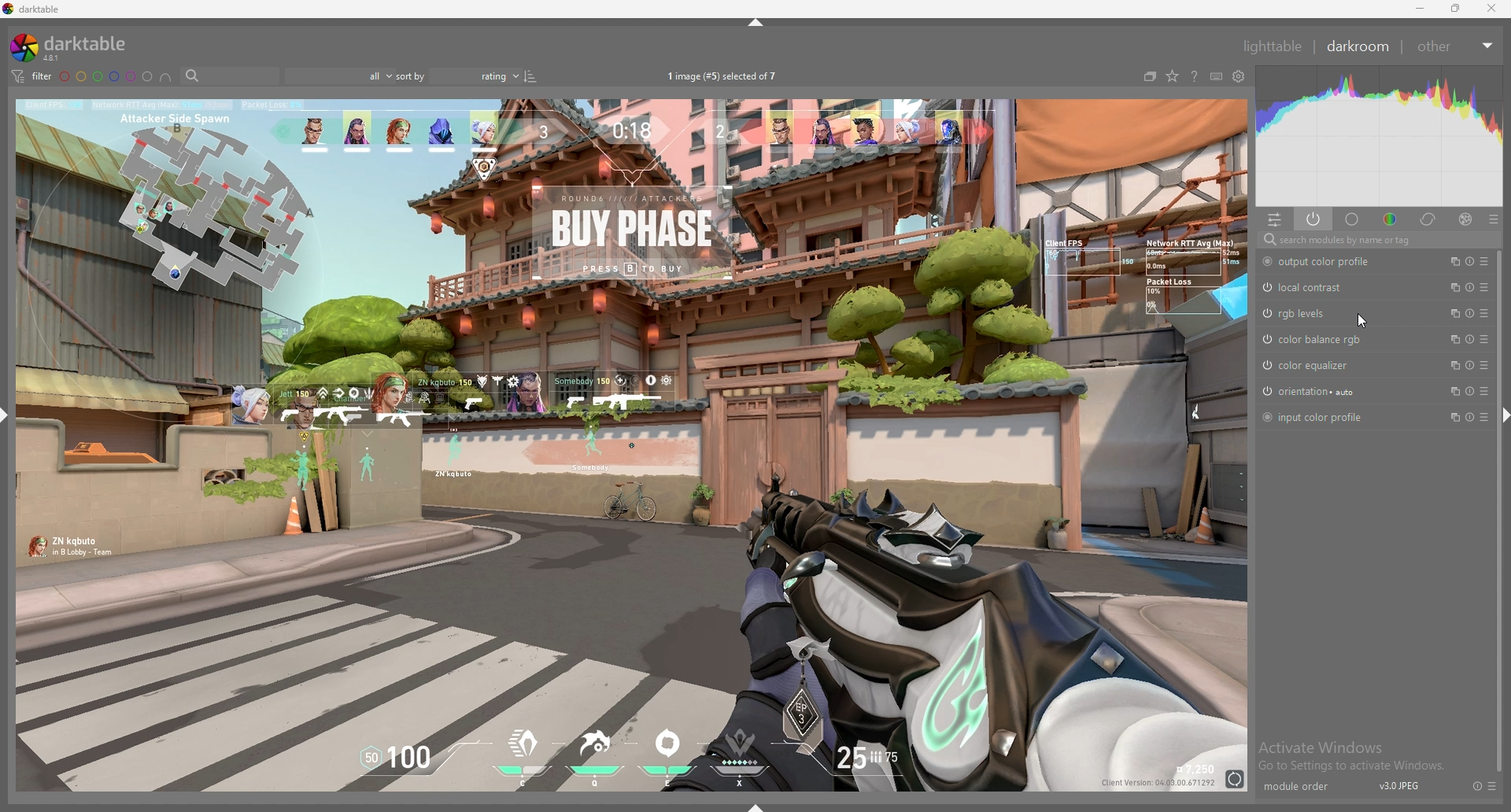  Describe the element at coordinates (1319, 416) in the screenshot. I see `input color profile` at that location.